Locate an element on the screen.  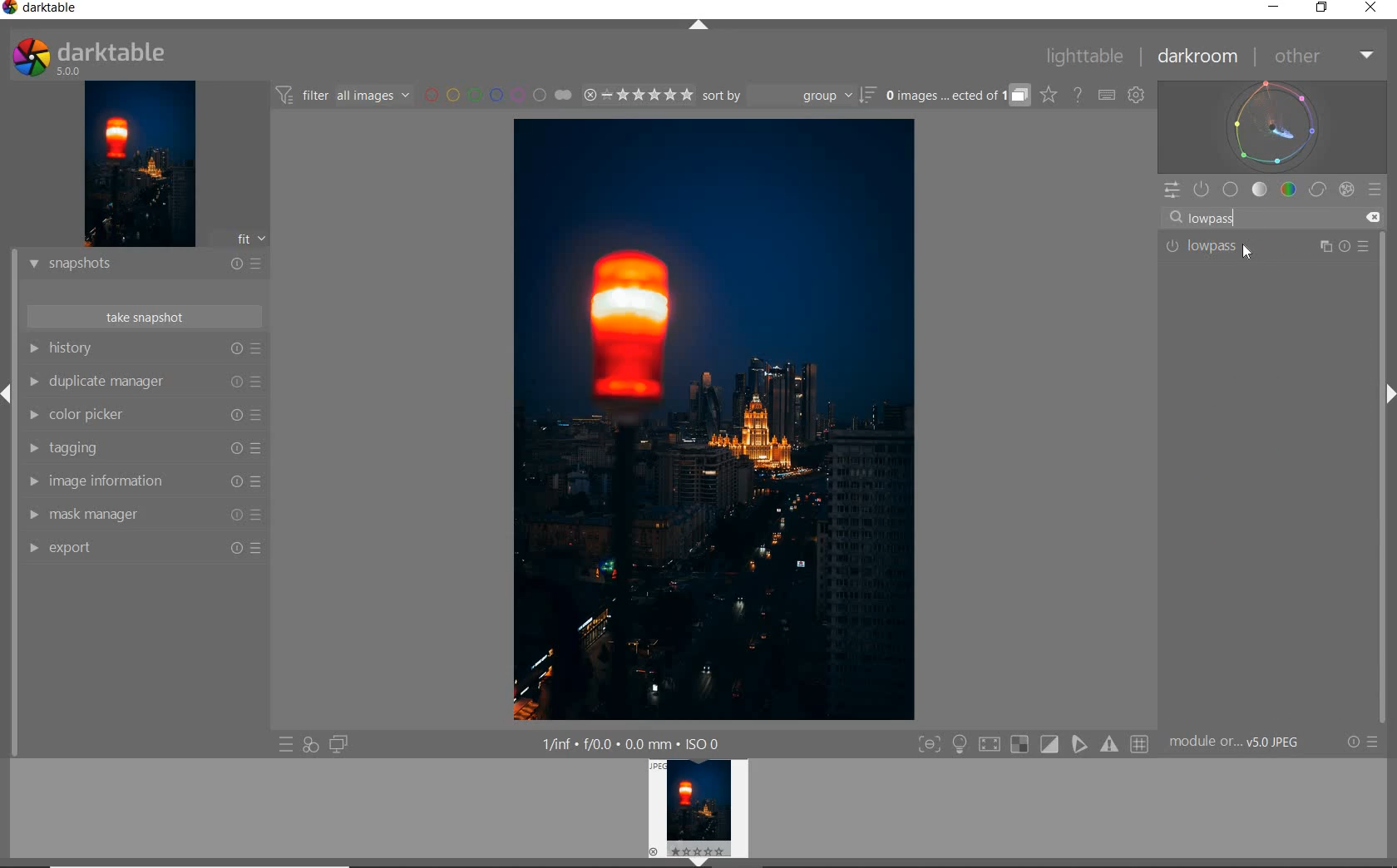
IMAGE INFORMATION is located at coordinates (119, 483).